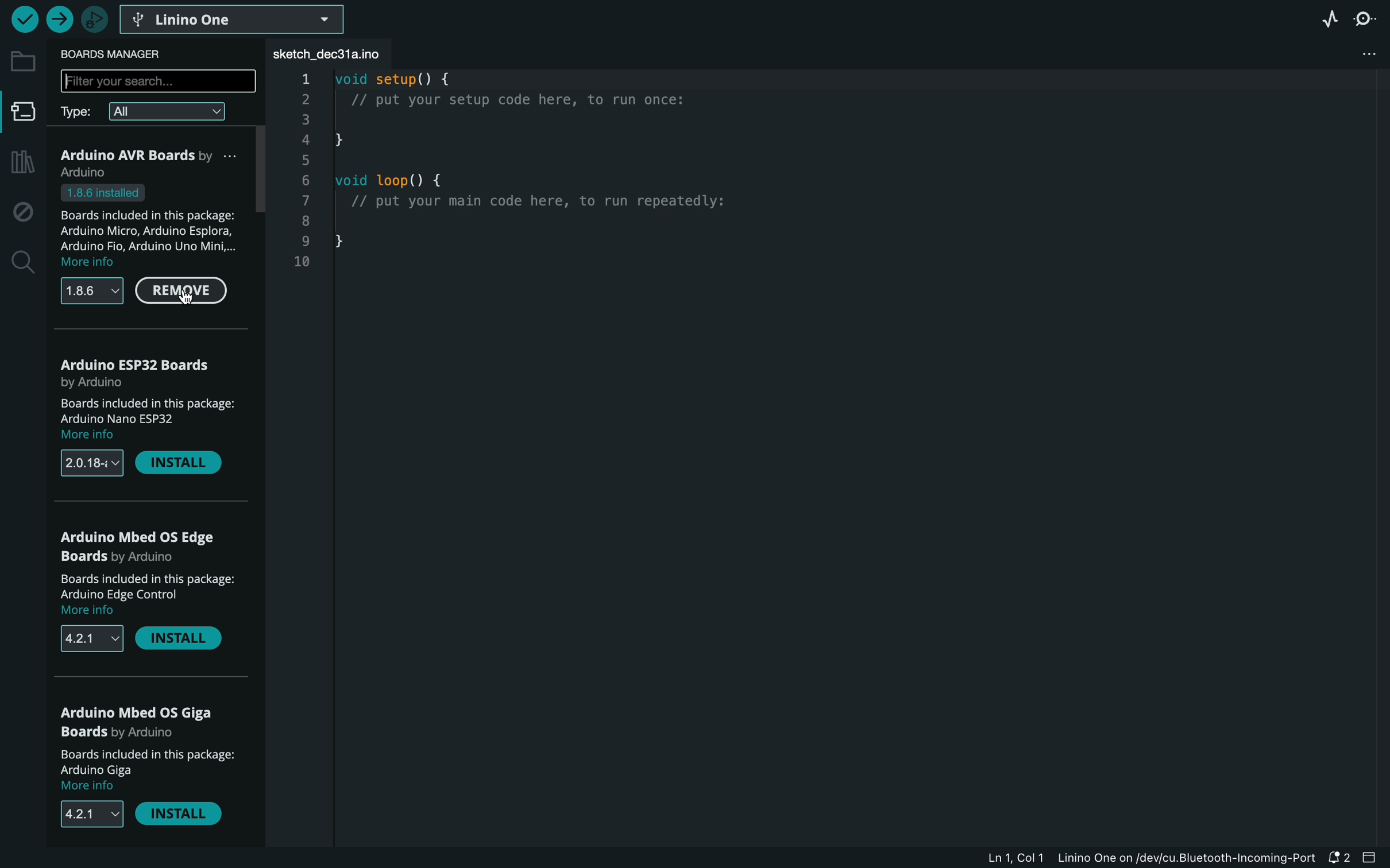  I want to click on install, so click(180, 638).